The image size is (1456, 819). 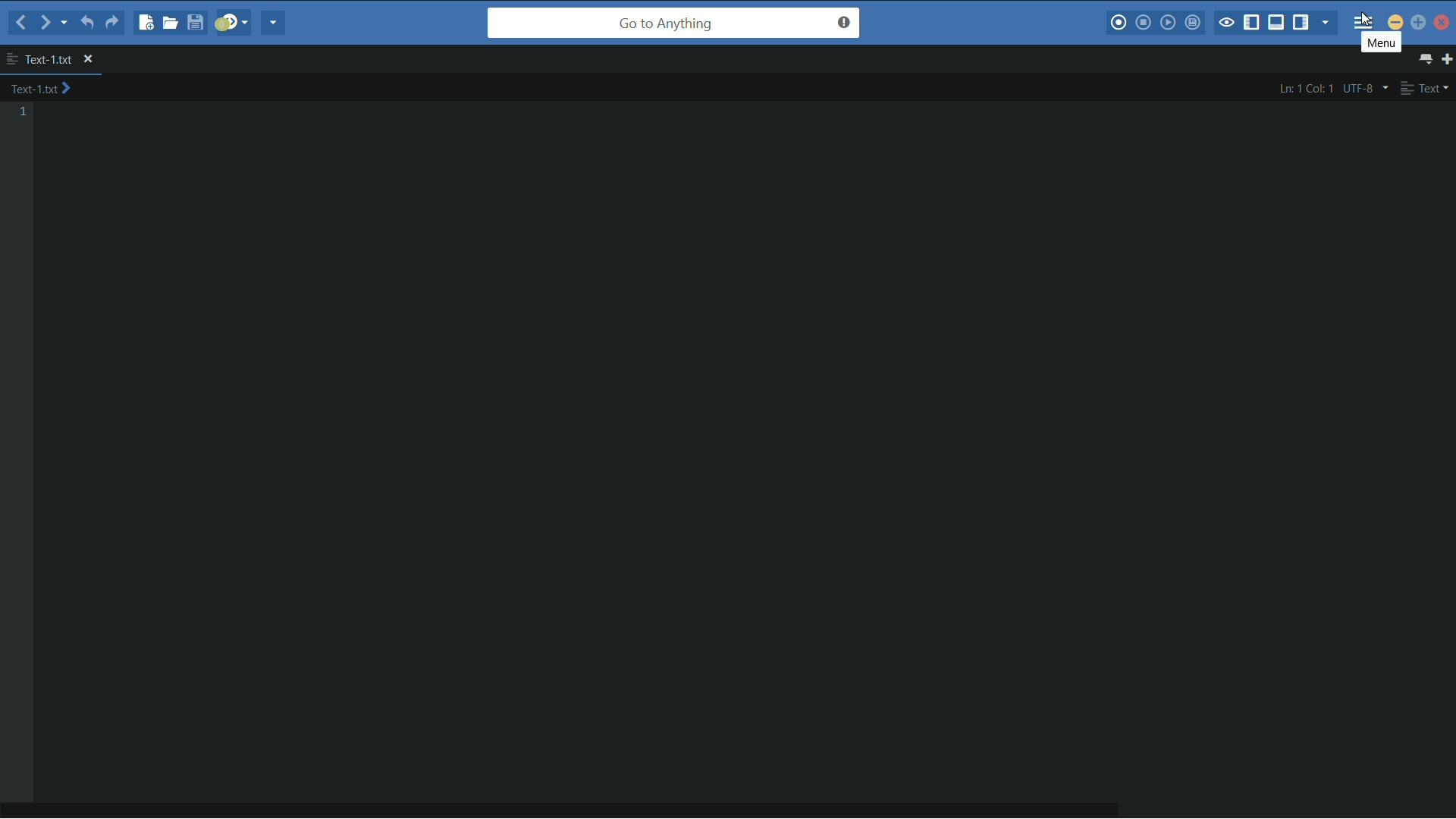 I want to click on text-1.txt, so click(x=41, y=89).